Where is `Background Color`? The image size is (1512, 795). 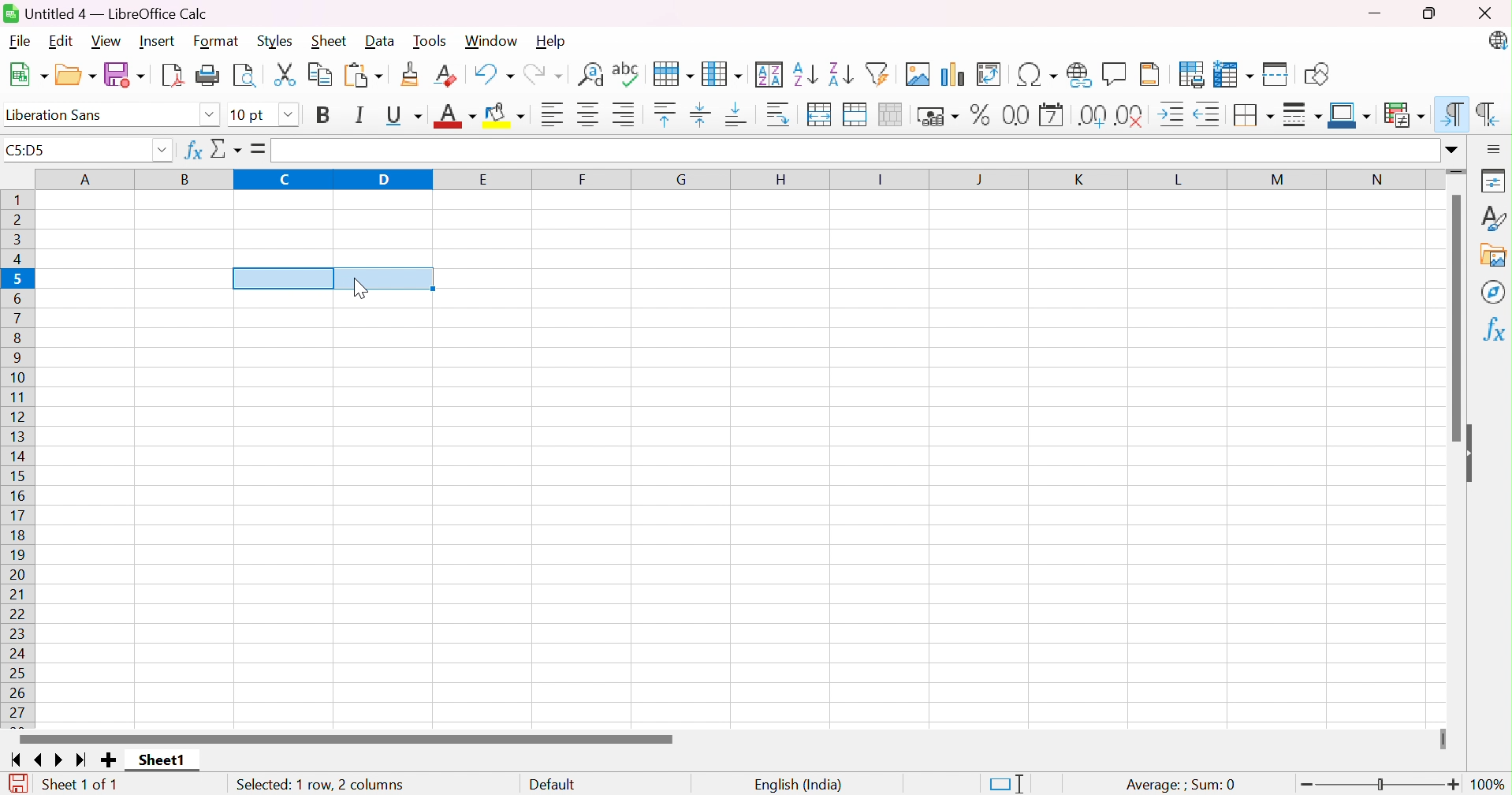
Background Color is located at coordinates (509, 116).